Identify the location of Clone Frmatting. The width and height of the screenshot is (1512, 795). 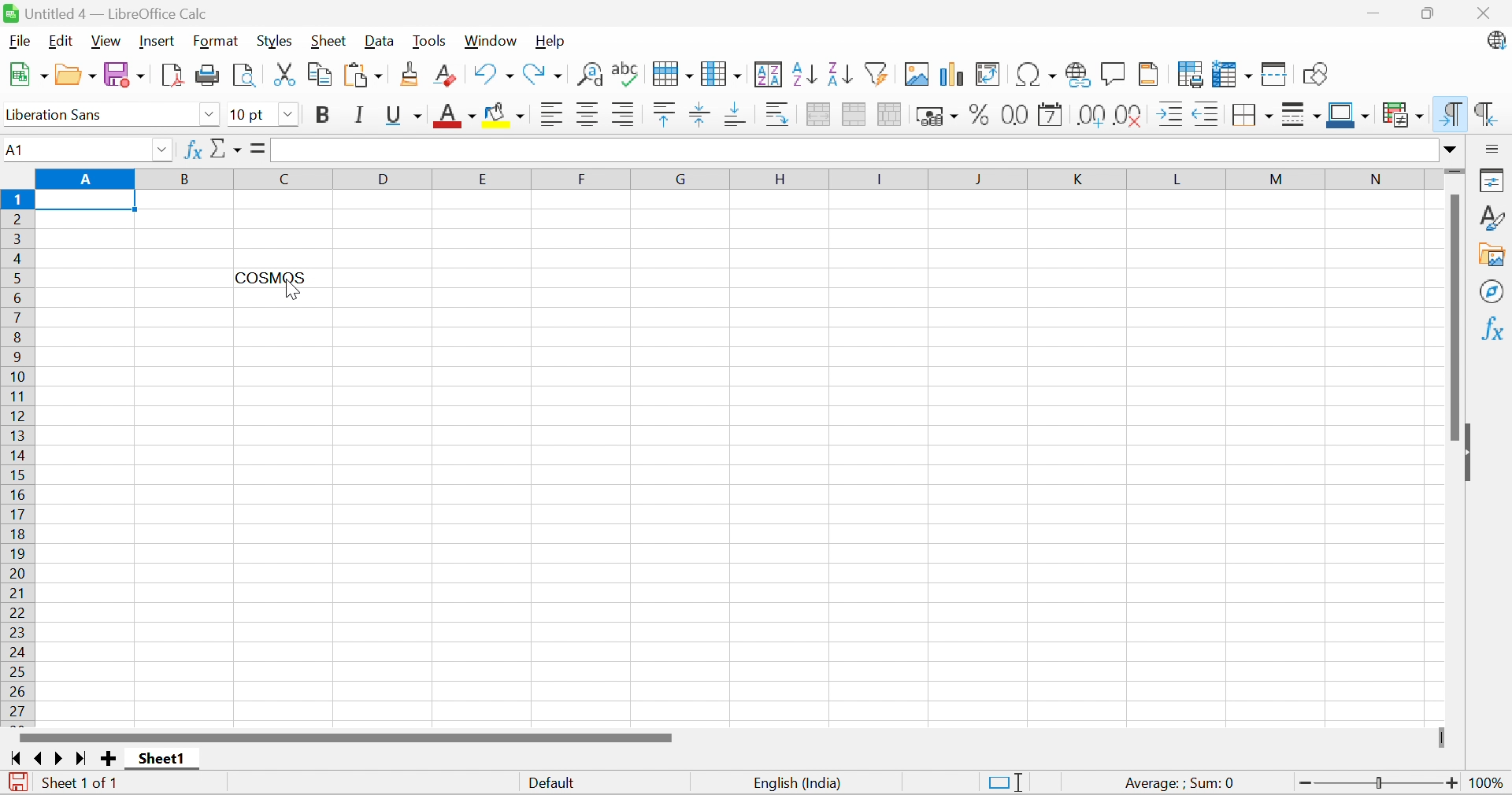
(412, 73).